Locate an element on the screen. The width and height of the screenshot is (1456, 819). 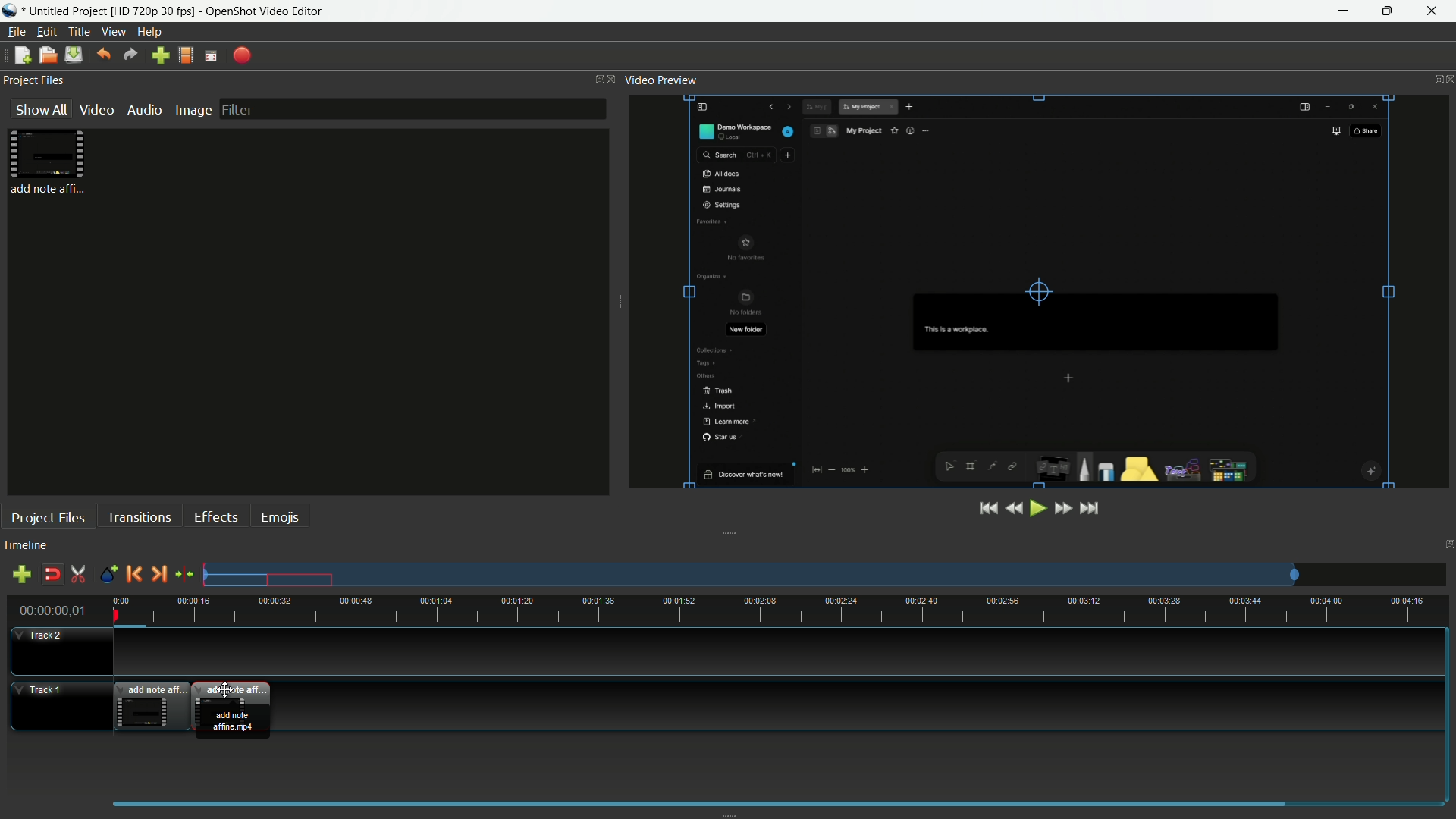
export is located at coordinates (240, 55).